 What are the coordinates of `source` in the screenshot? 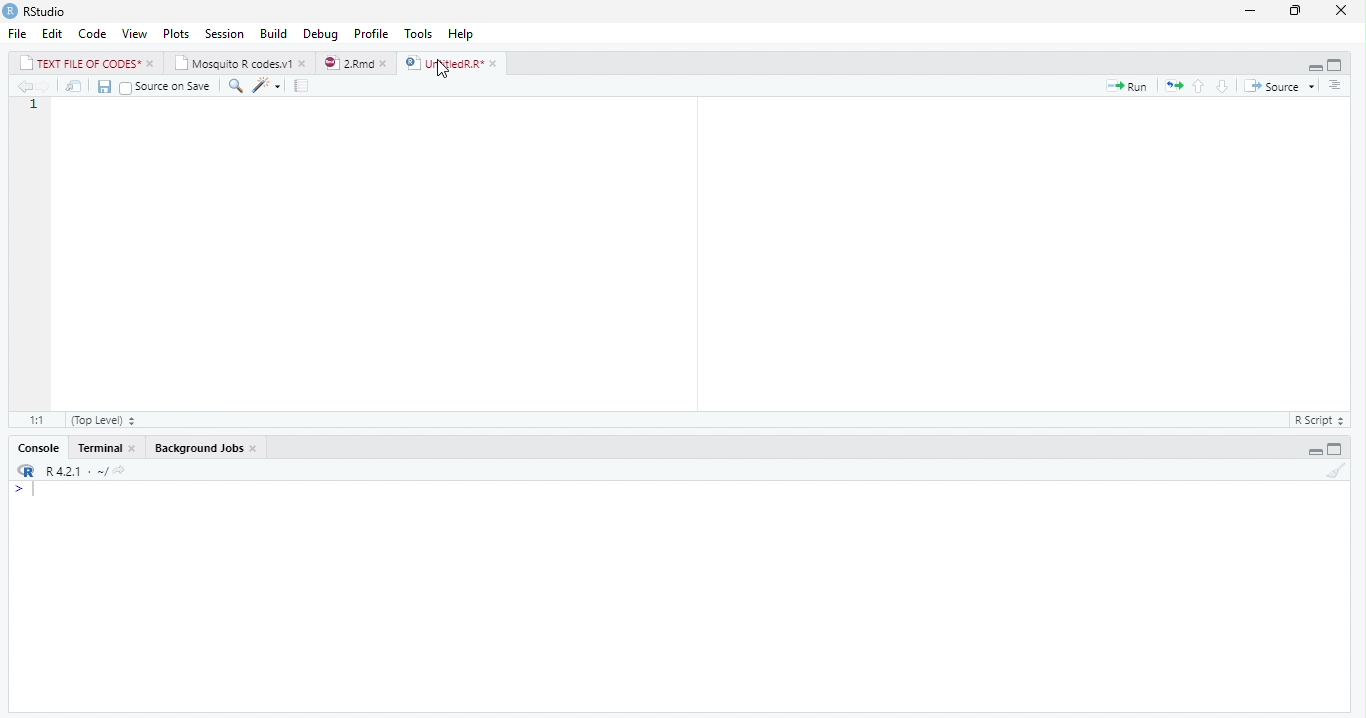 It's located at (1283, 86).